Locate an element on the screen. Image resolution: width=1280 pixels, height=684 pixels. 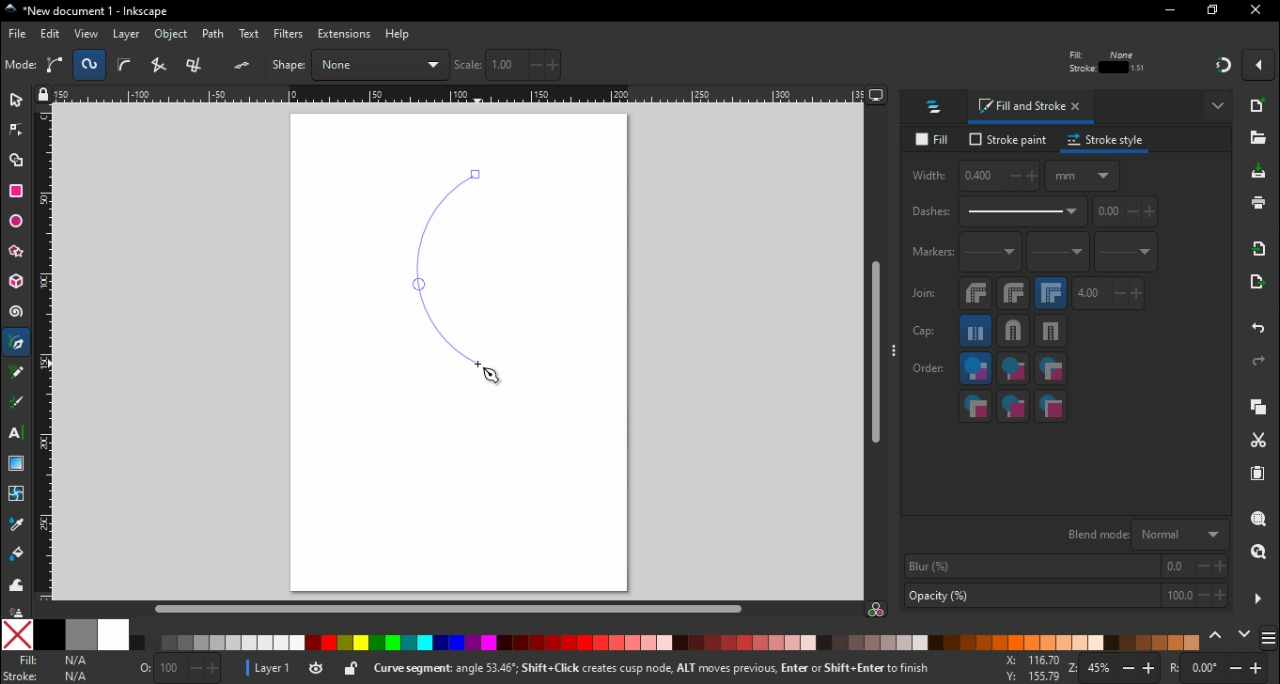
square is located at coordinates (1053, 335).